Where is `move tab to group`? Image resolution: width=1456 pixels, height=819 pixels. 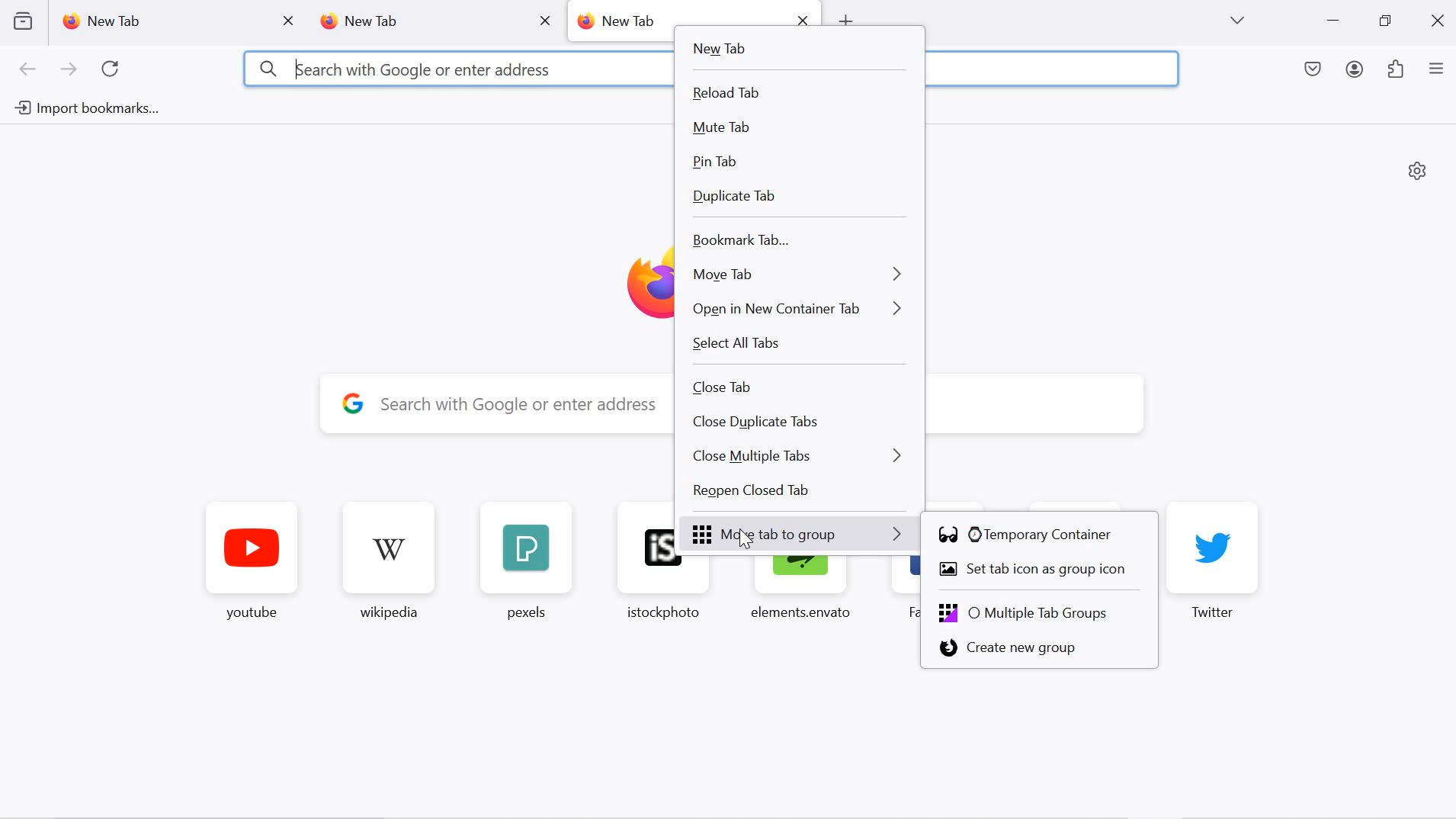 move tab to group is located at coordinates (800, 534).